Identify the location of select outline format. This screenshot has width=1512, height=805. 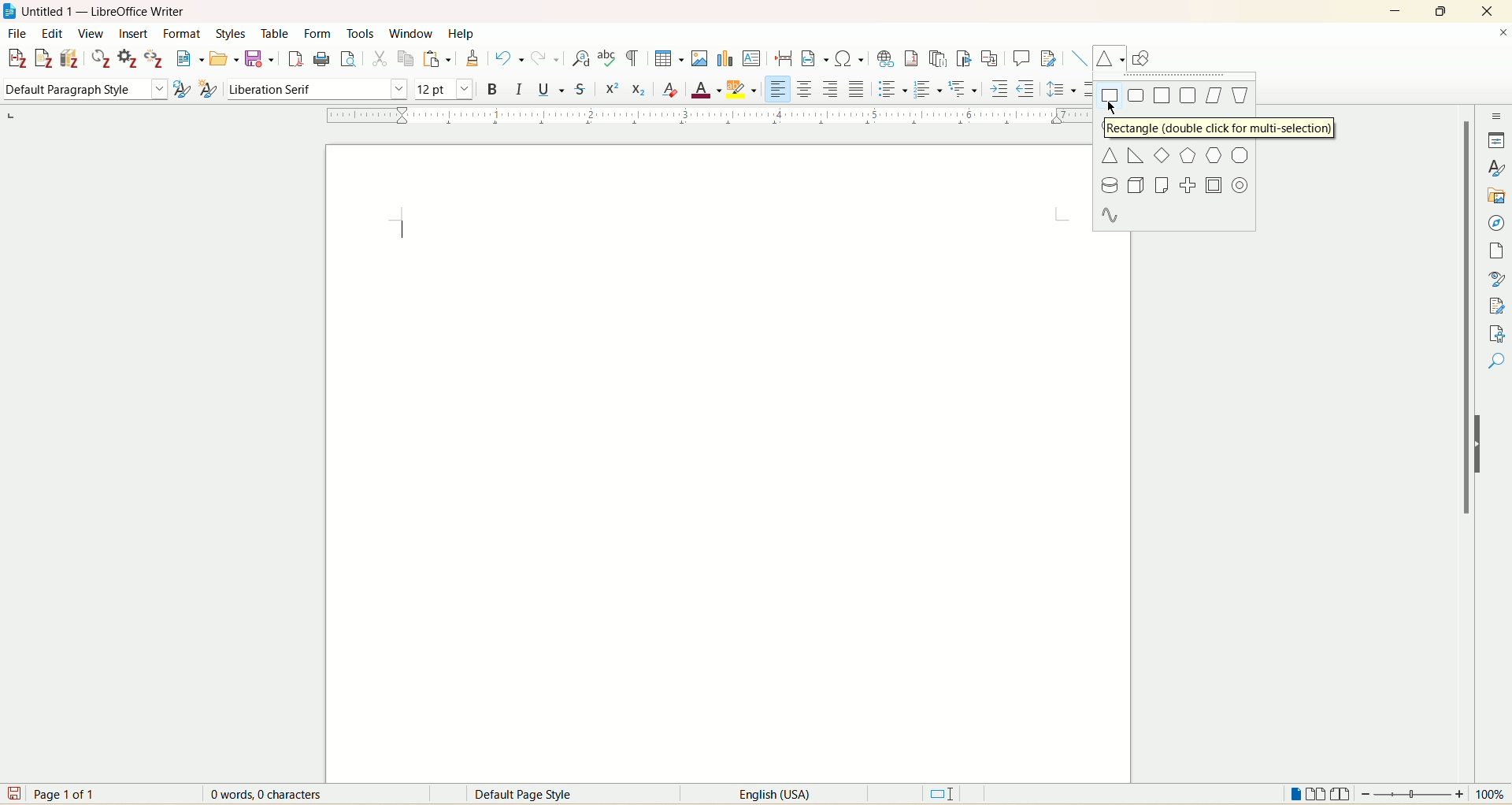
(962, 90).